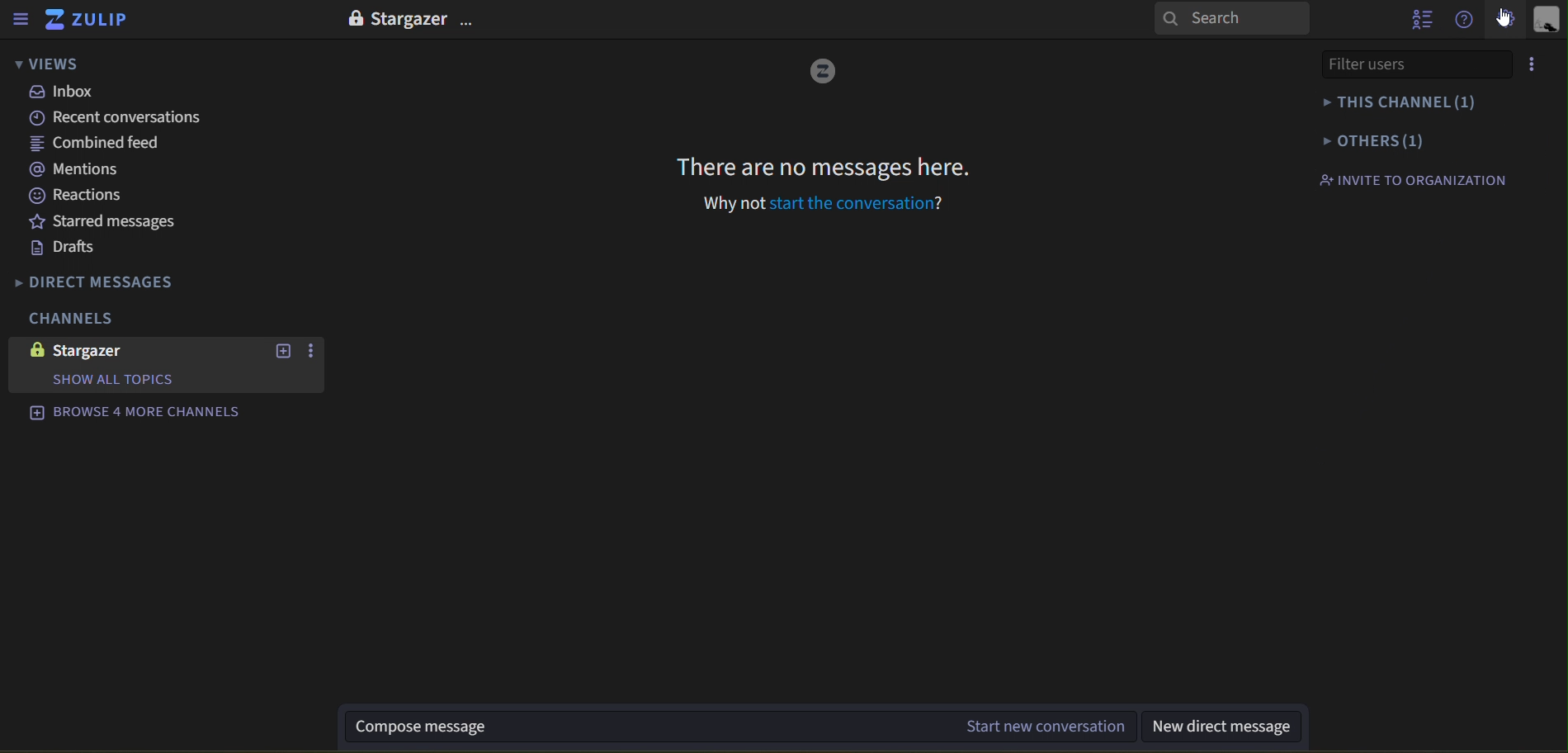 This screenshot has height=753, width=1568. I want to click on start the conversation?, so click(862, 206).